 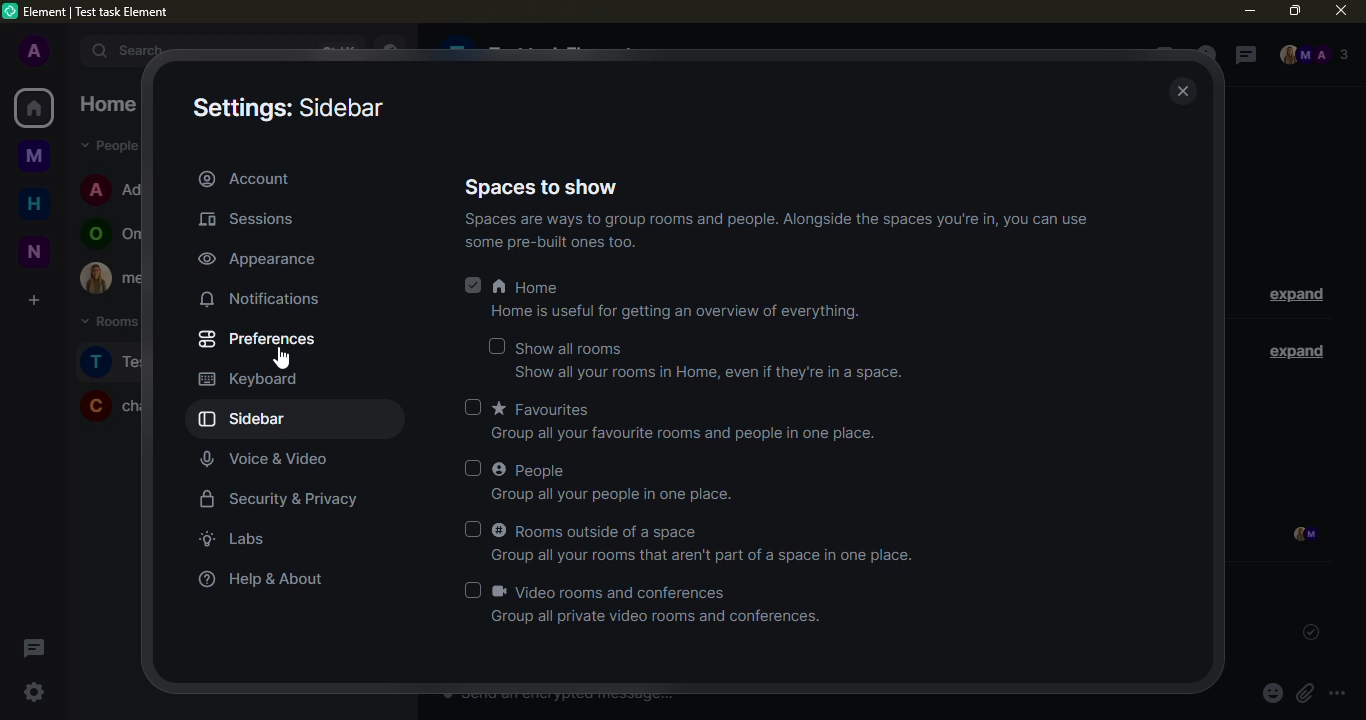 I want to click on selected, so click(x=471, y=286).